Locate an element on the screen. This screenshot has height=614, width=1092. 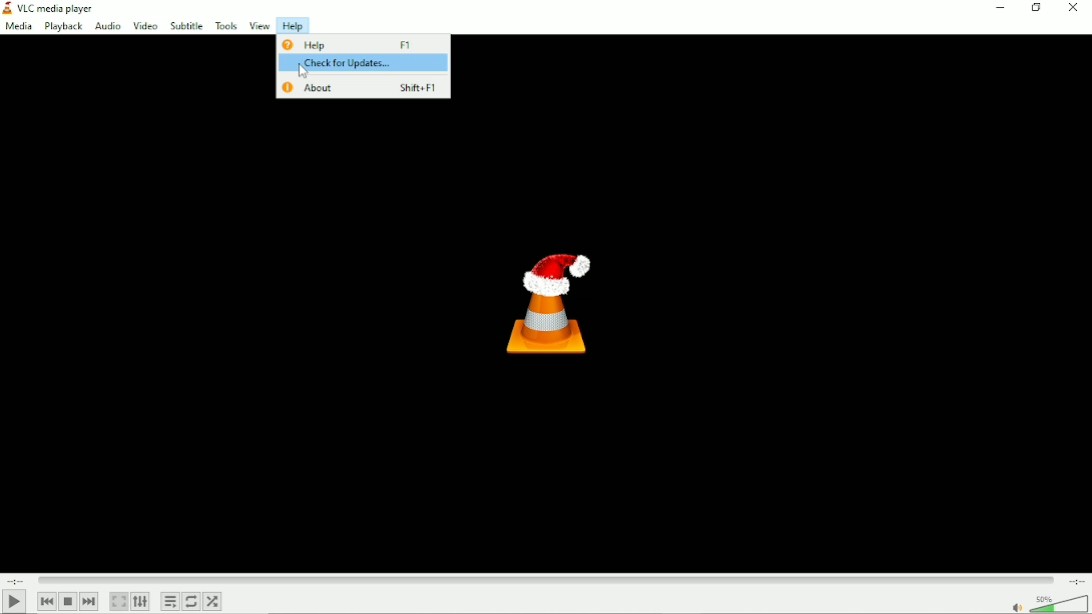
Next is located at coordinates (89, 602).